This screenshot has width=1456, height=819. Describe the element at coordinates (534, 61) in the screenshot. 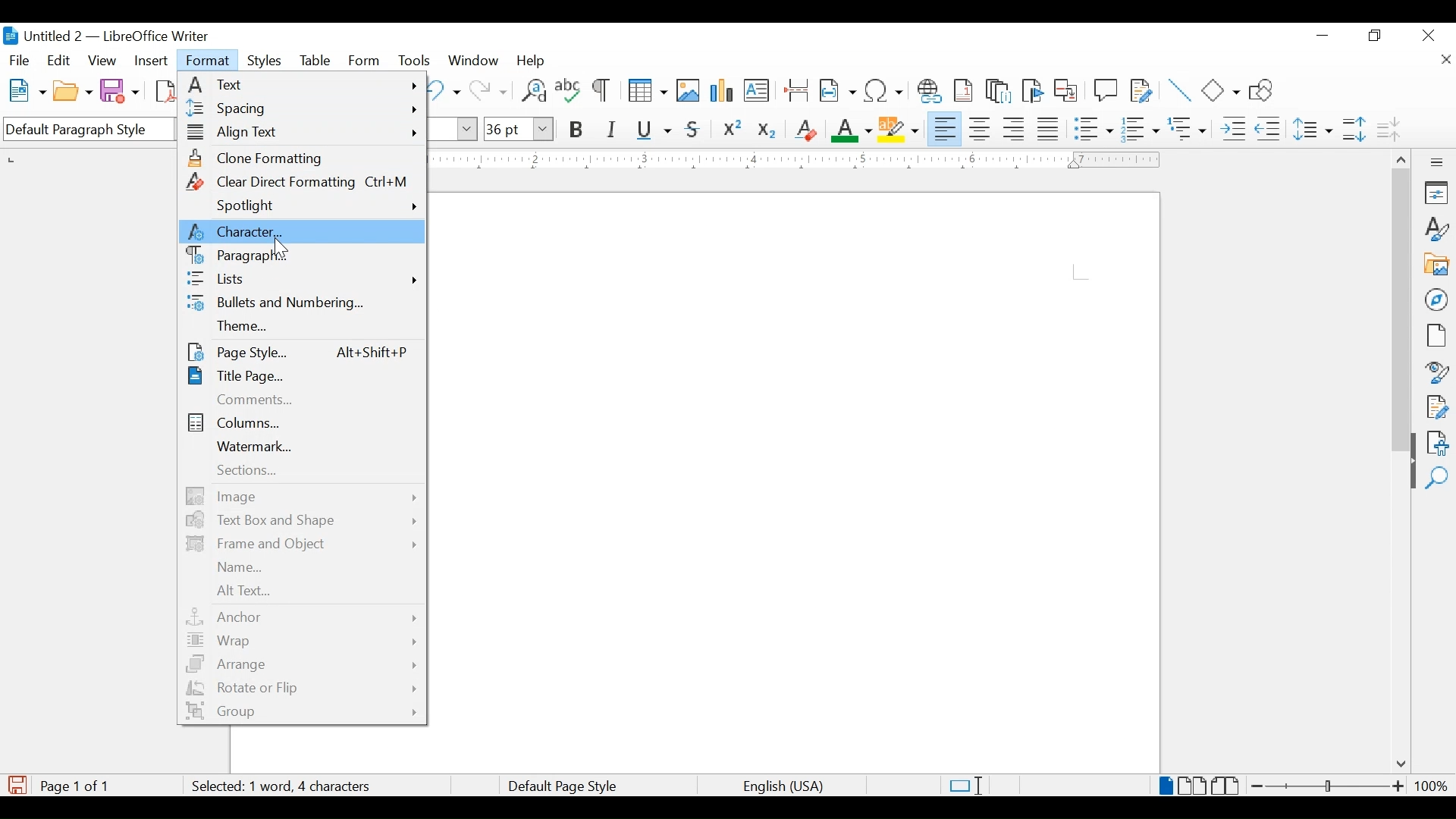

I see `help` at that location.